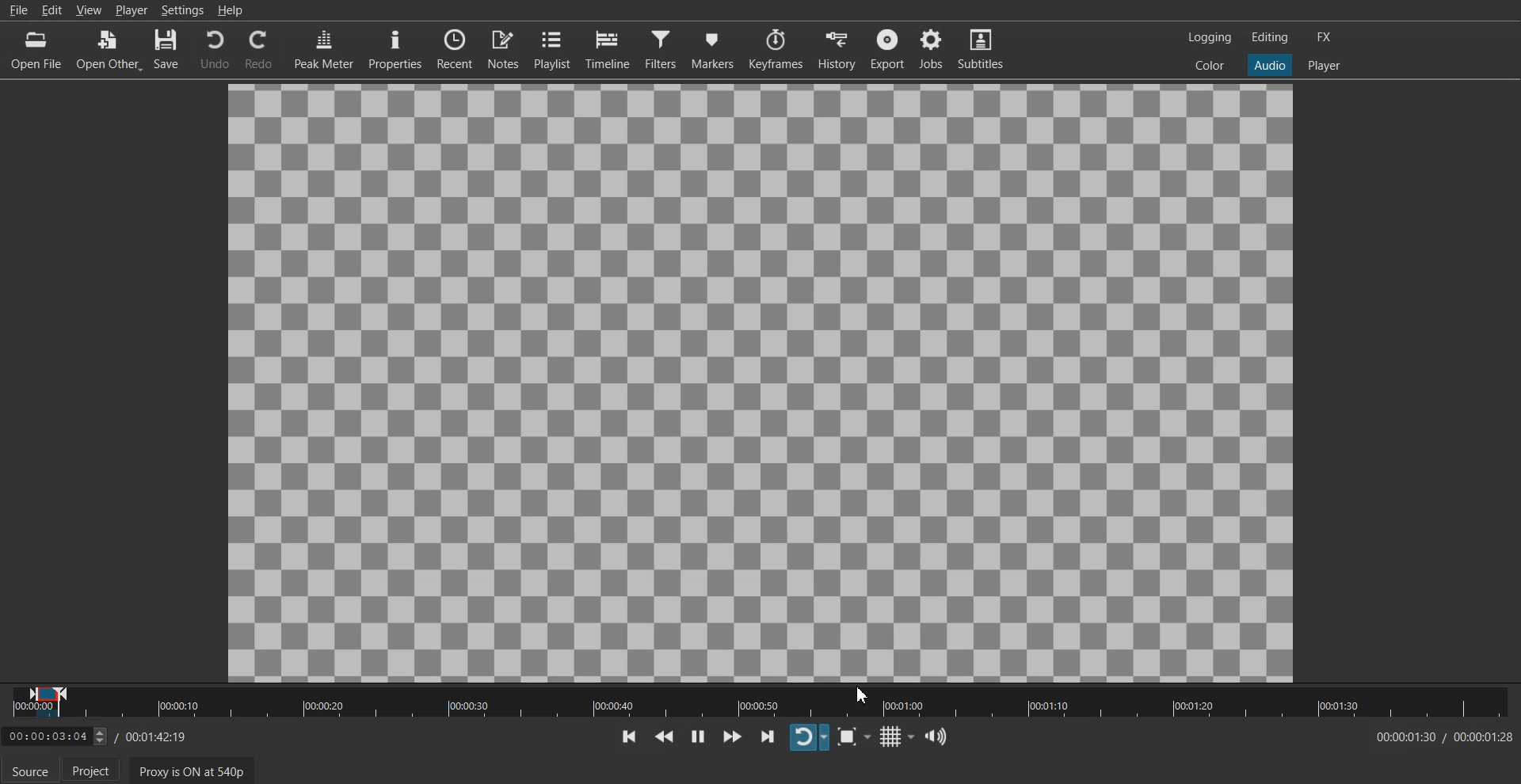 The image size is (1521, 784). Describe the element at coordinates (768, 736) in the screenshot. I see `Skip To next point` at that location.